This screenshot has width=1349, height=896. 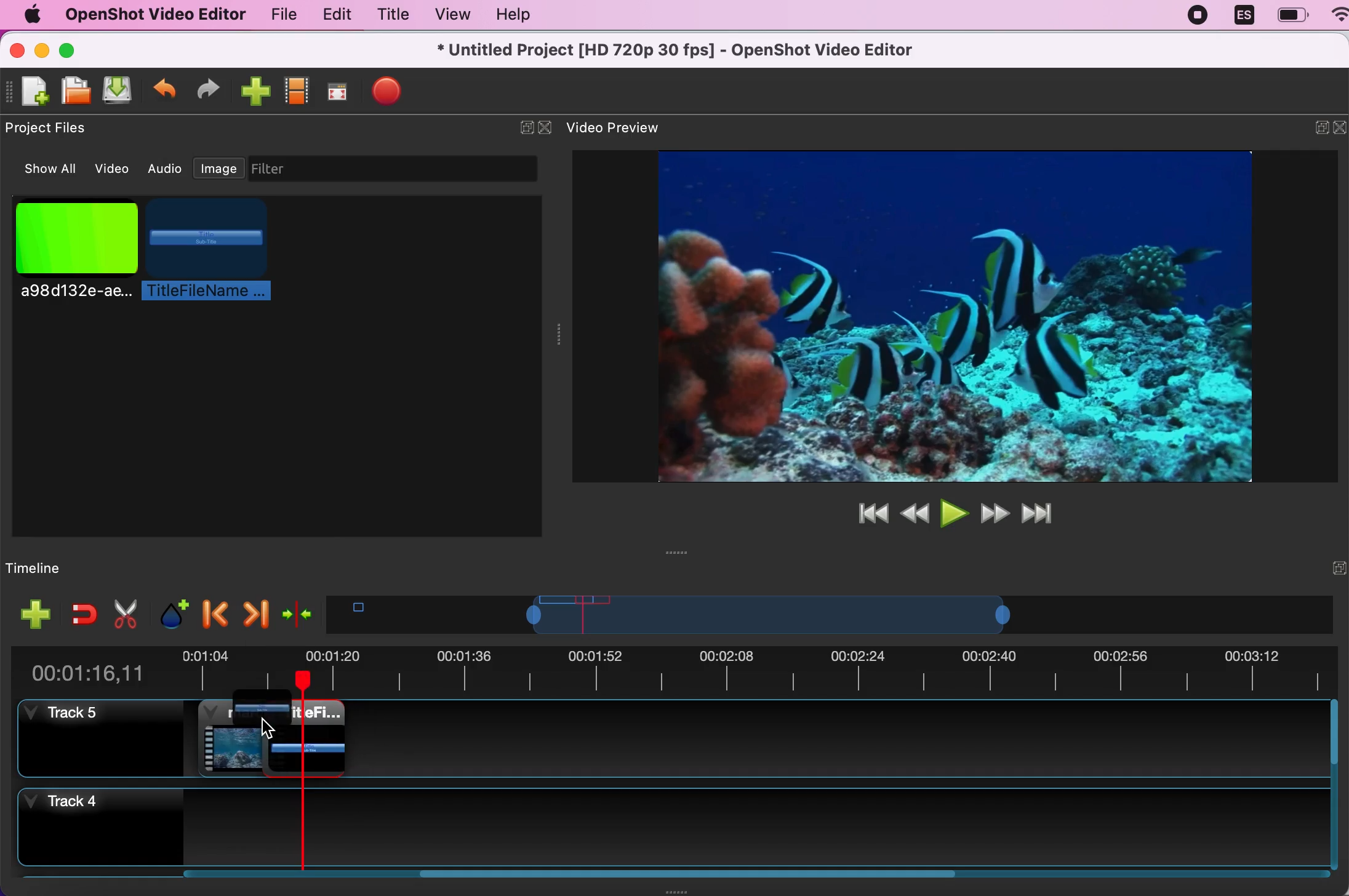 What do you see at coordinates (1340, 130) in the screenshot?
I see `close` at bounding box center [1340, 130].